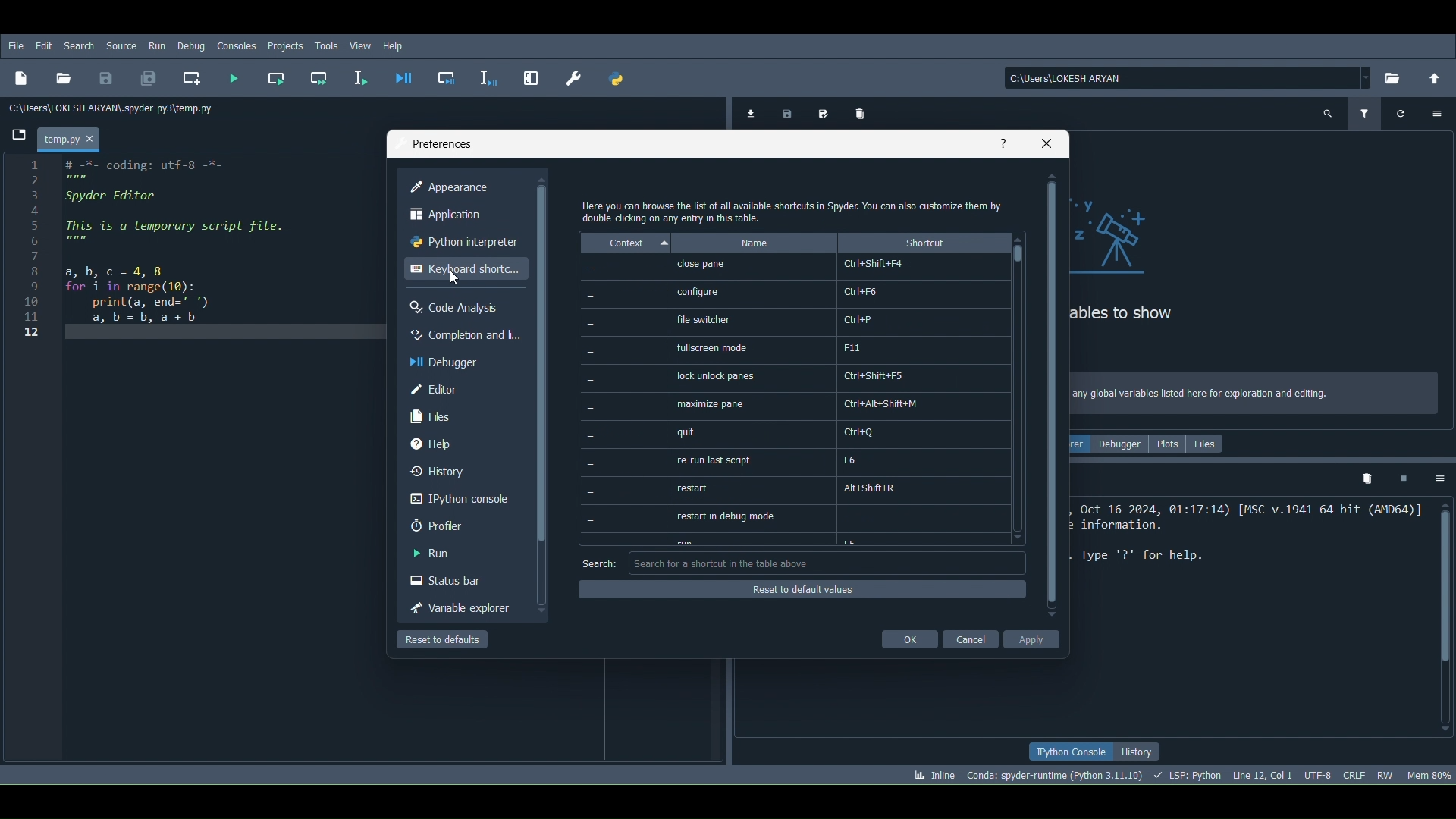 This screenshot has width=1456, height=819. What do you see at coordinates (1446, 617) in the screenshot?
I see `Scrollbar` at bounding box center [1446, 617].